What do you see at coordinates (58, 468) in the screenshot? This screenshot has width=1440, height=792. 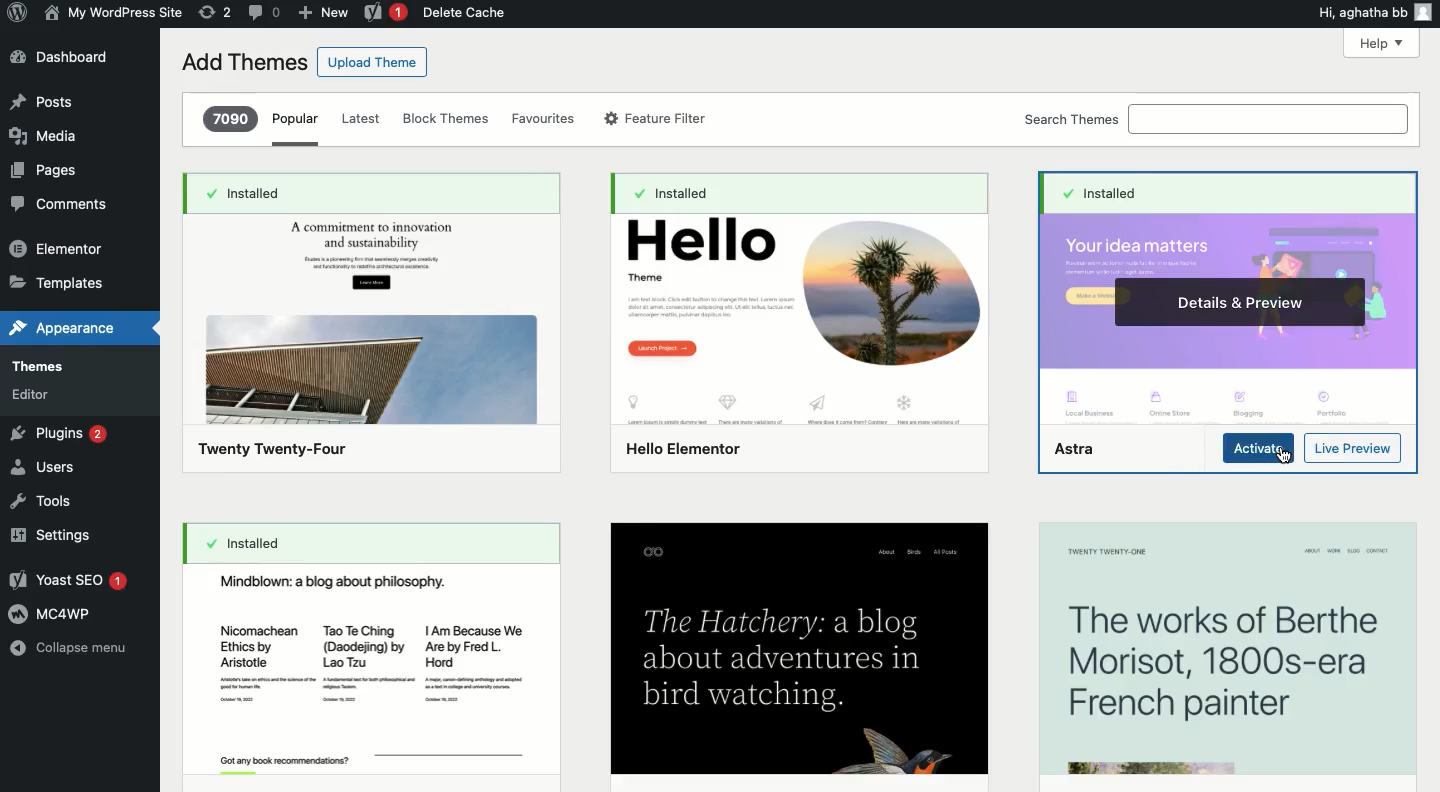 I see `Users` at bounding box center [58, 468].